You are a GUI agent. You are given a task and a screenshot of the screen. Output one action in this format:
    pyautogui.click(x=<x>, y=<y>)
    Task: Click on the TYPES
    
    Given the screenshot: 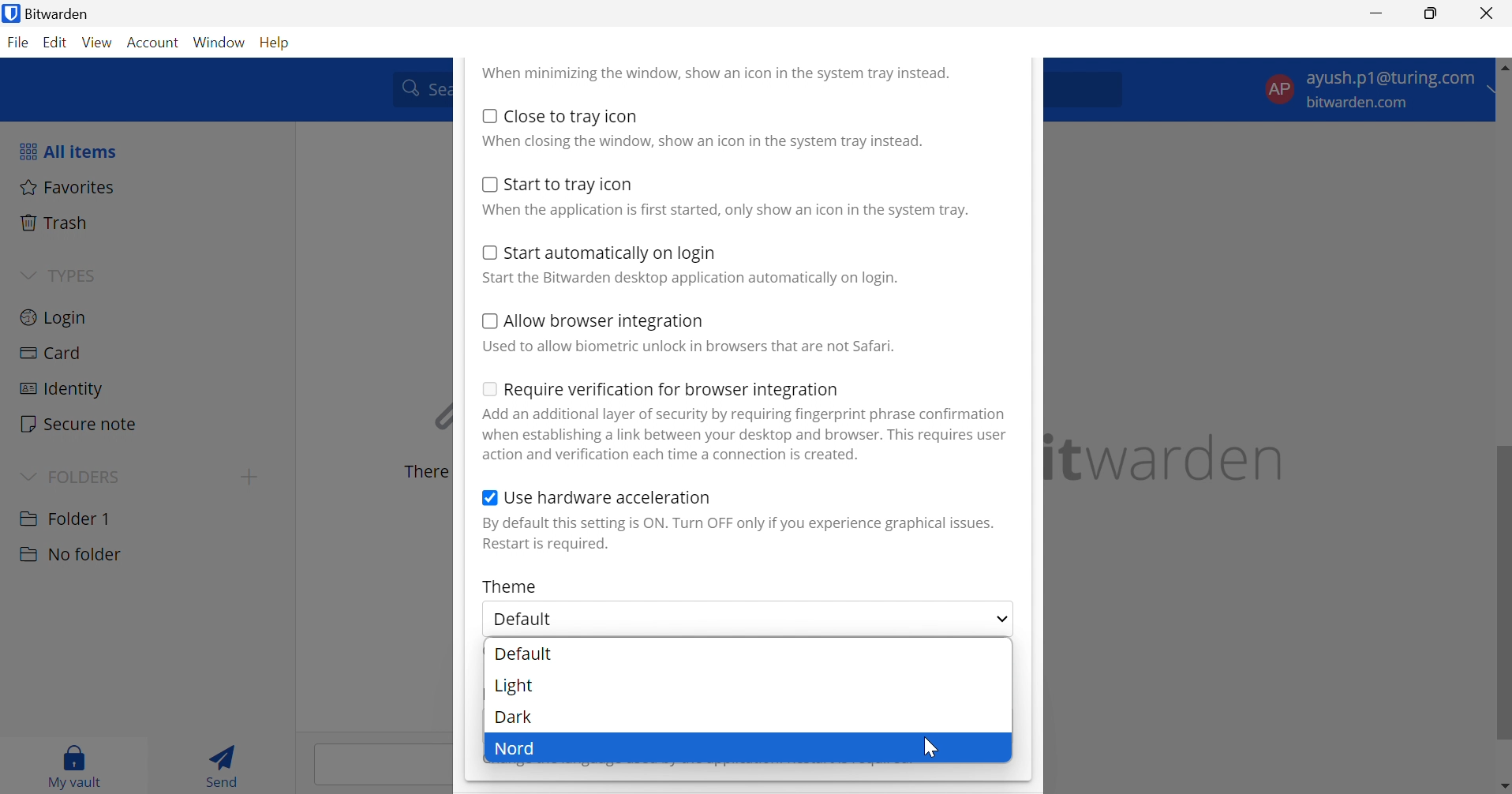 What is the action you would take?
    pyautogui.click(x=70, y=275)
    